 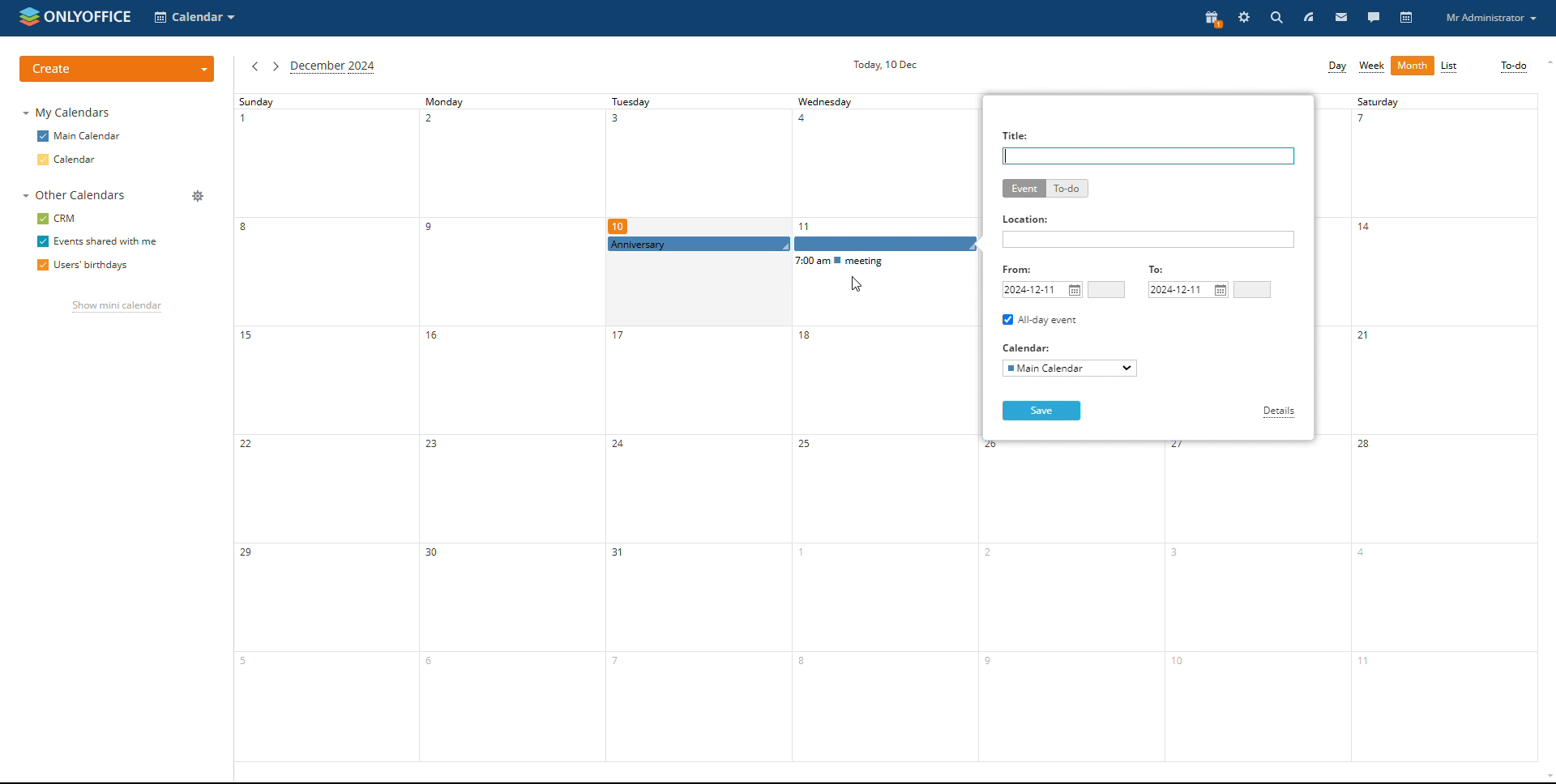 What do you see at coordinates (79, 136) in the screenshot?
I see `main calendar` at bounding box center [79, 136].